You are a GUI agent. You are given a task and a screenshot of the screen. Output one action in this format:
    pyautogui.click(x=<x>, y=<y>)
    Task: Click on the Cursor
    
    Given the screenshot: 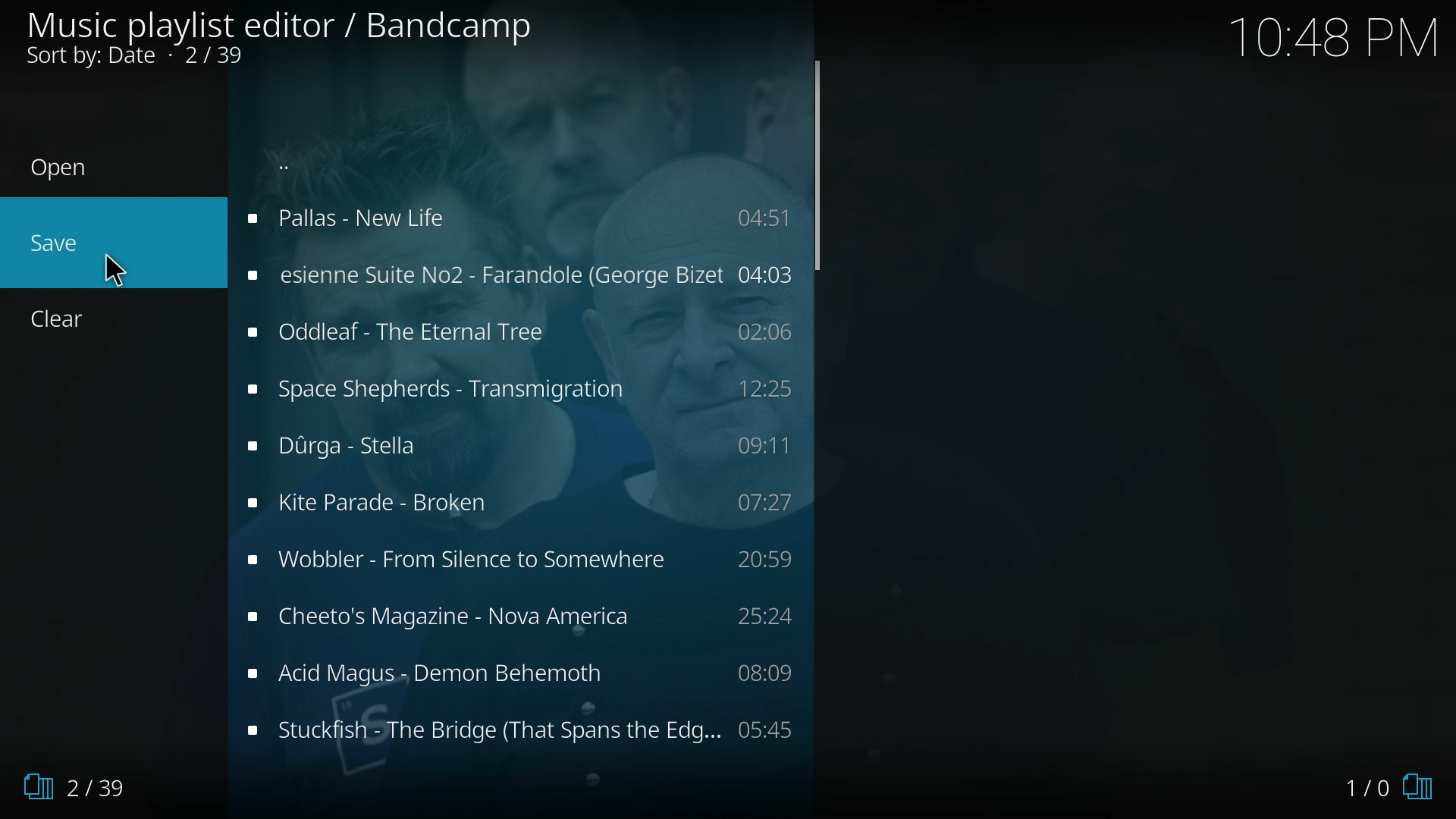 What is the action you would take?
    pyautogui.click(x=112, y=263)
    